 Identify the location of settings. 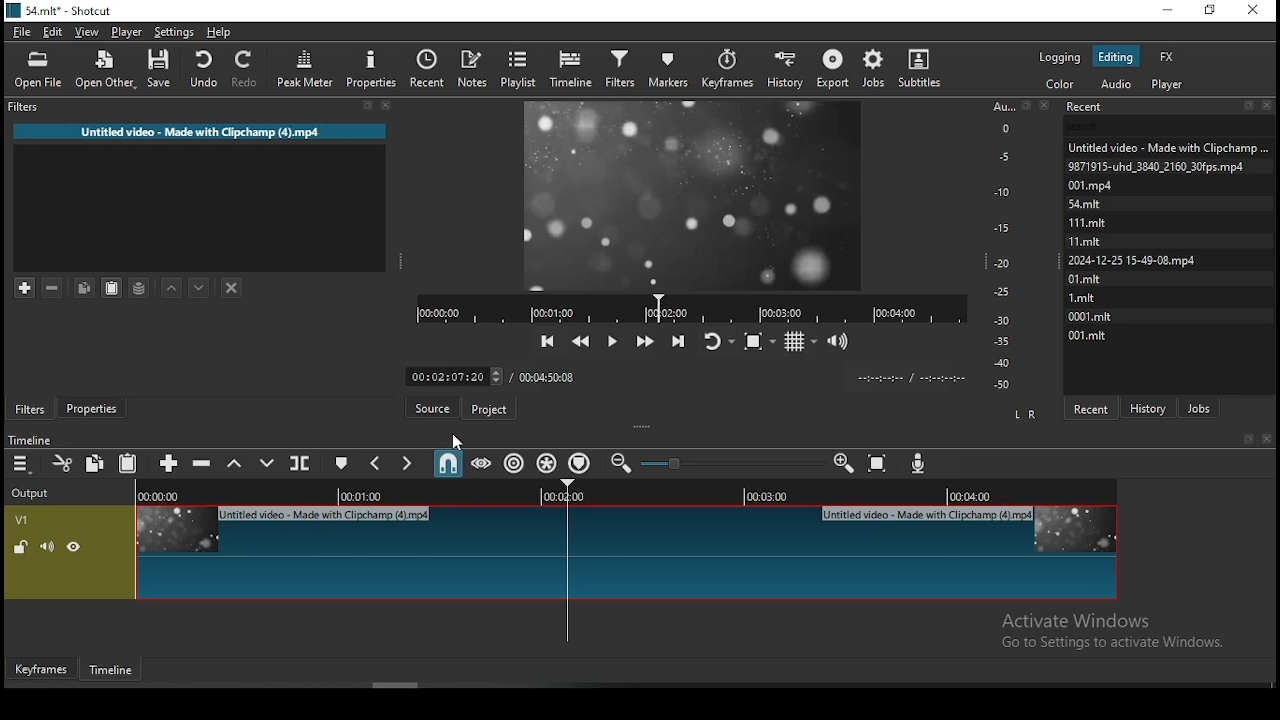
(172, 33).